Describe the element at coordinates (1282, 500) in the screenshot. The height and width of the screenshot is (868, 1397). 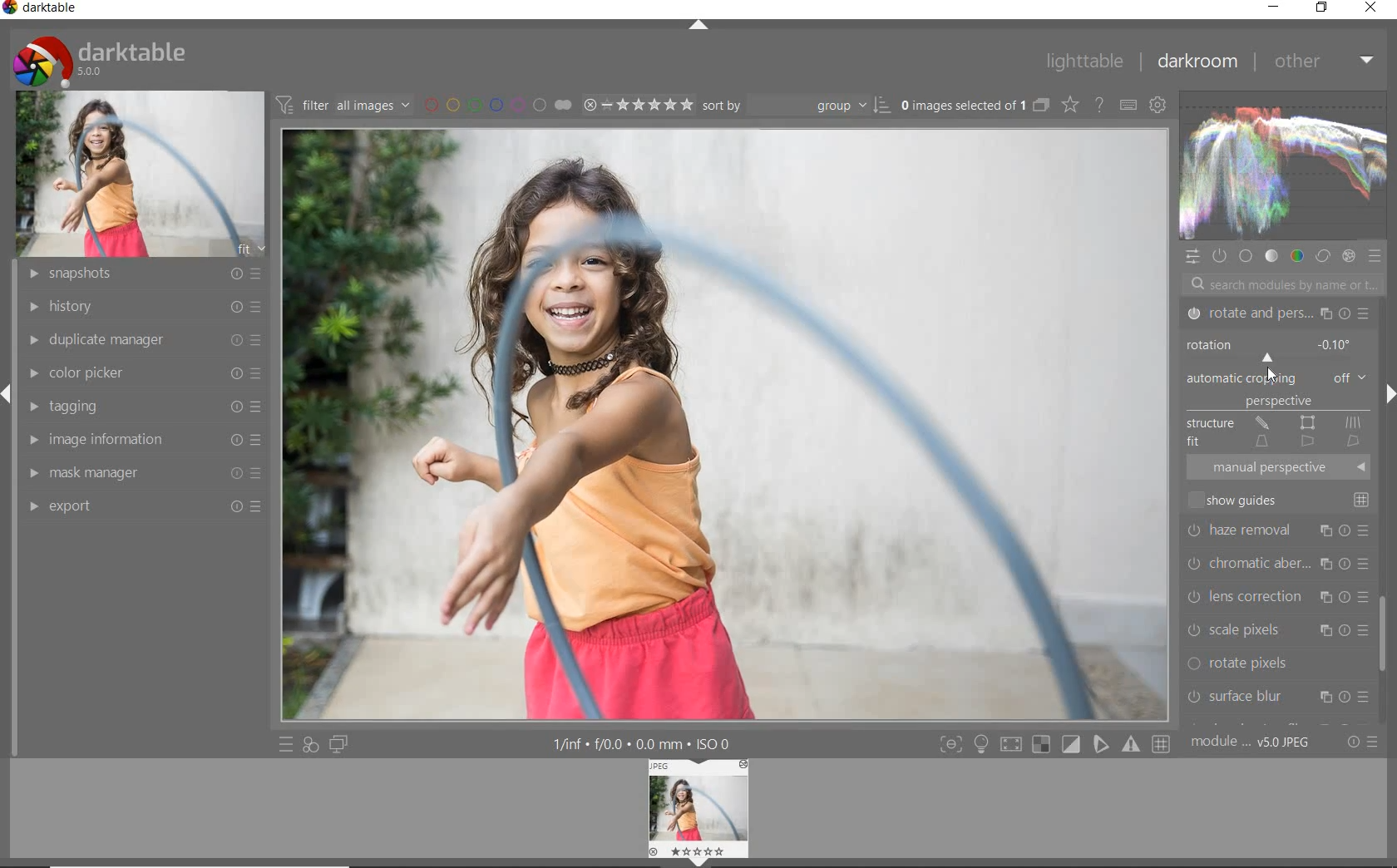
I see `SHOW GUIDES` at that location.